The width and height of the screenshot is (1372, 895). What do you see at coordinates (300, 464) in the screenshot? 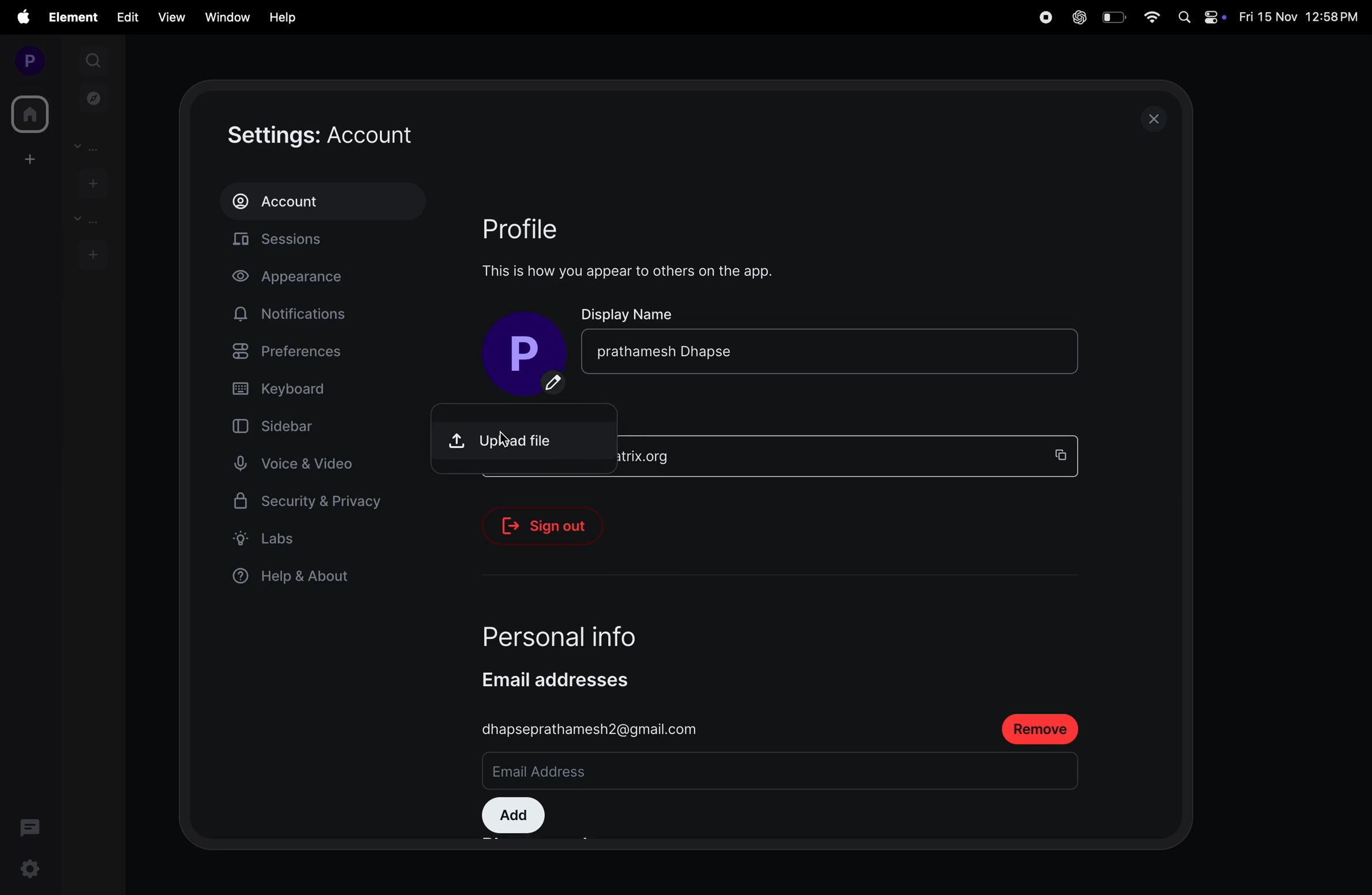
I see `voice and videos` at bounding box center [300, 464].